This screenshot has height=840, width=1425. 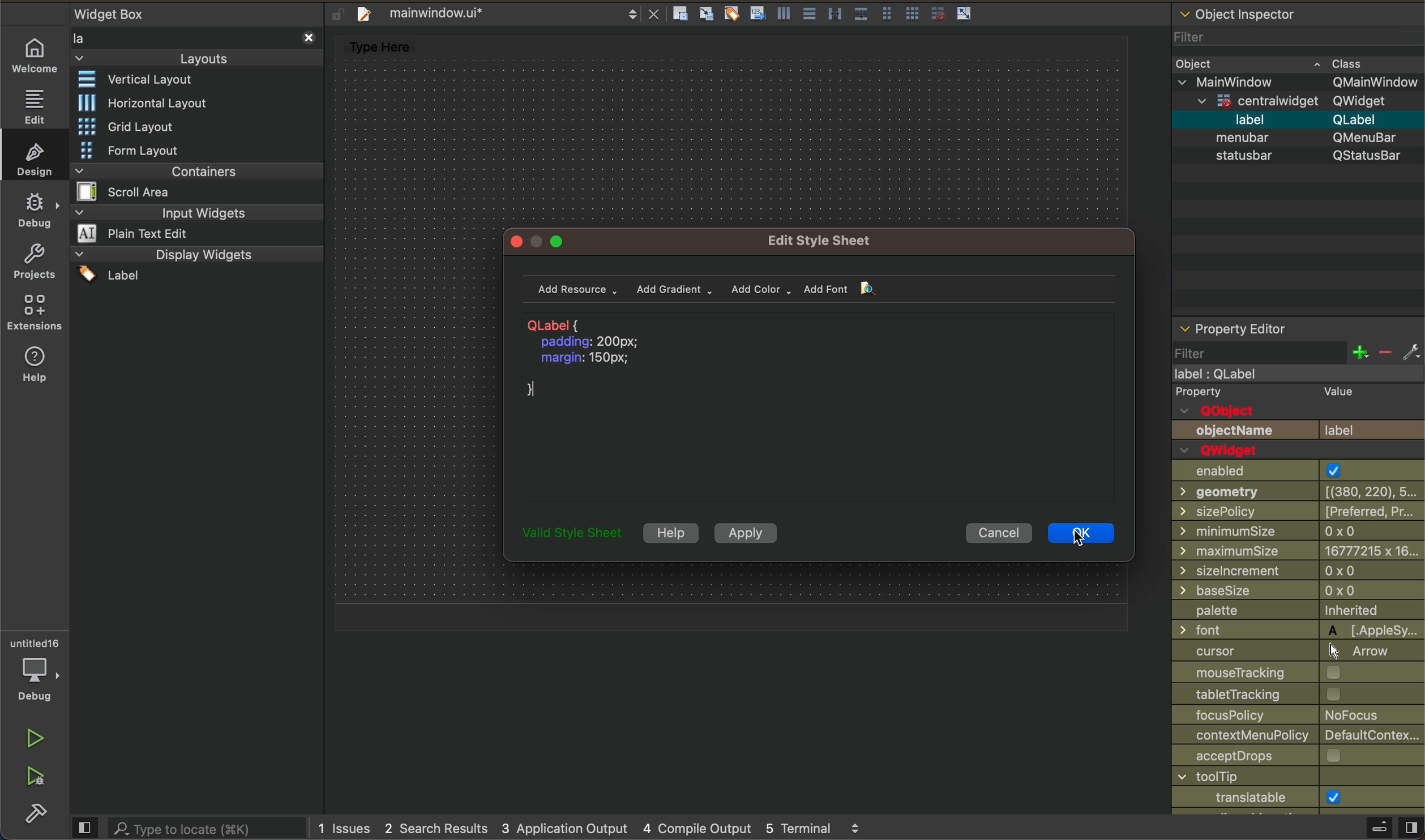 What do you see at coordinates (675, 288) in the screenshot?
I see `add gradients` at bounding box center [675, 288].